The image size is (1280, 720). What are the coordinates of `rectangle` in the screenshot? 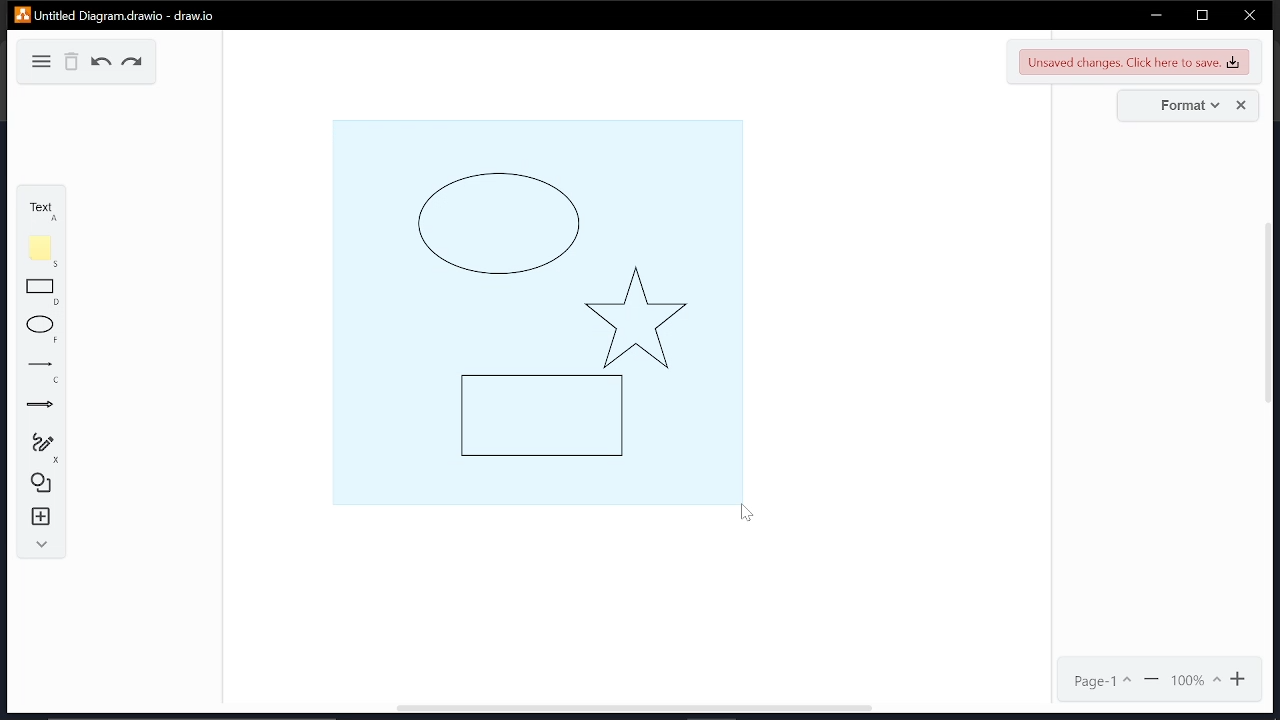 It's located at (41, 292).